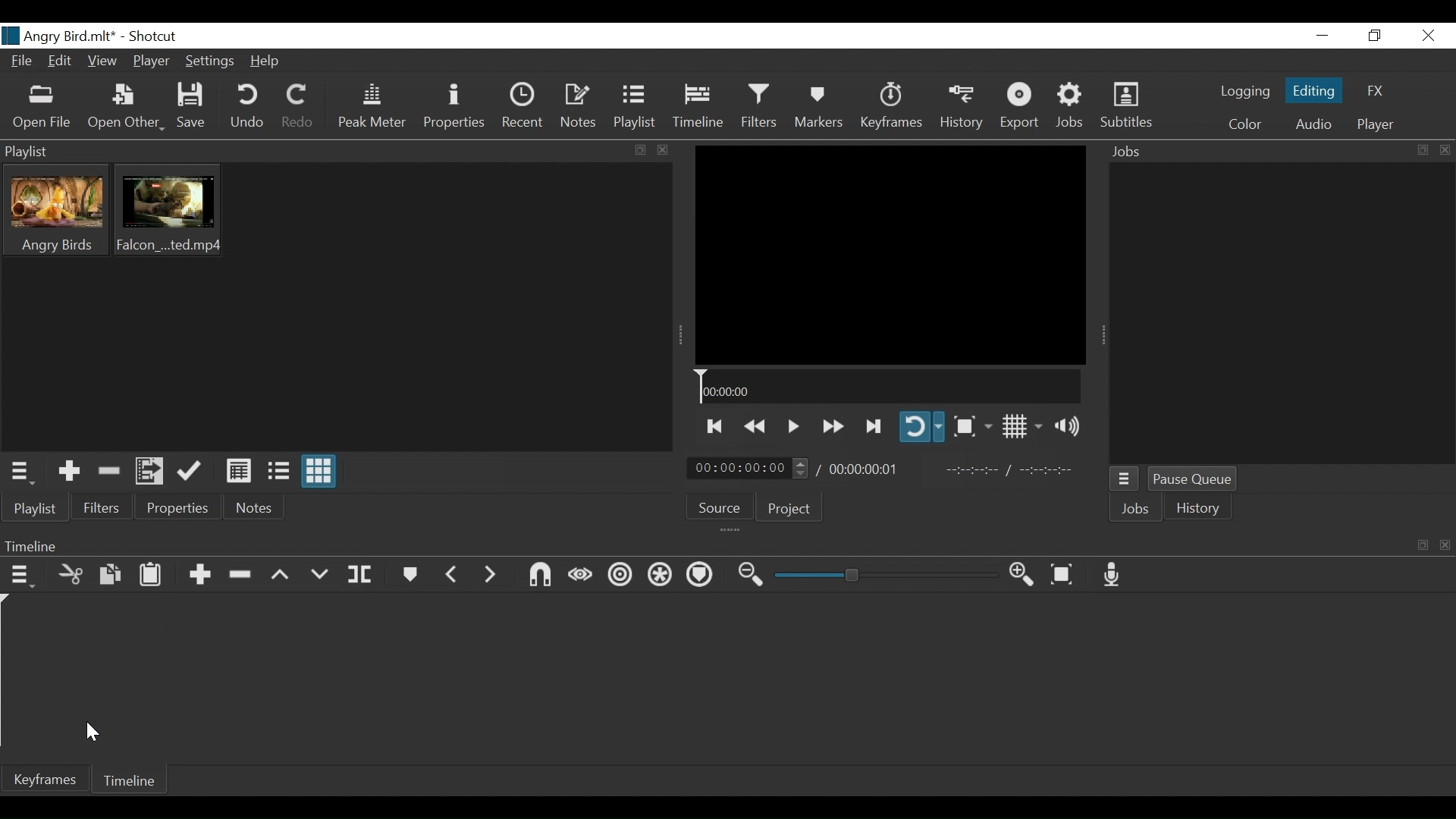 The height and width of the screenshot is (819, 1456). I want to click on Source, so click(718, 504).